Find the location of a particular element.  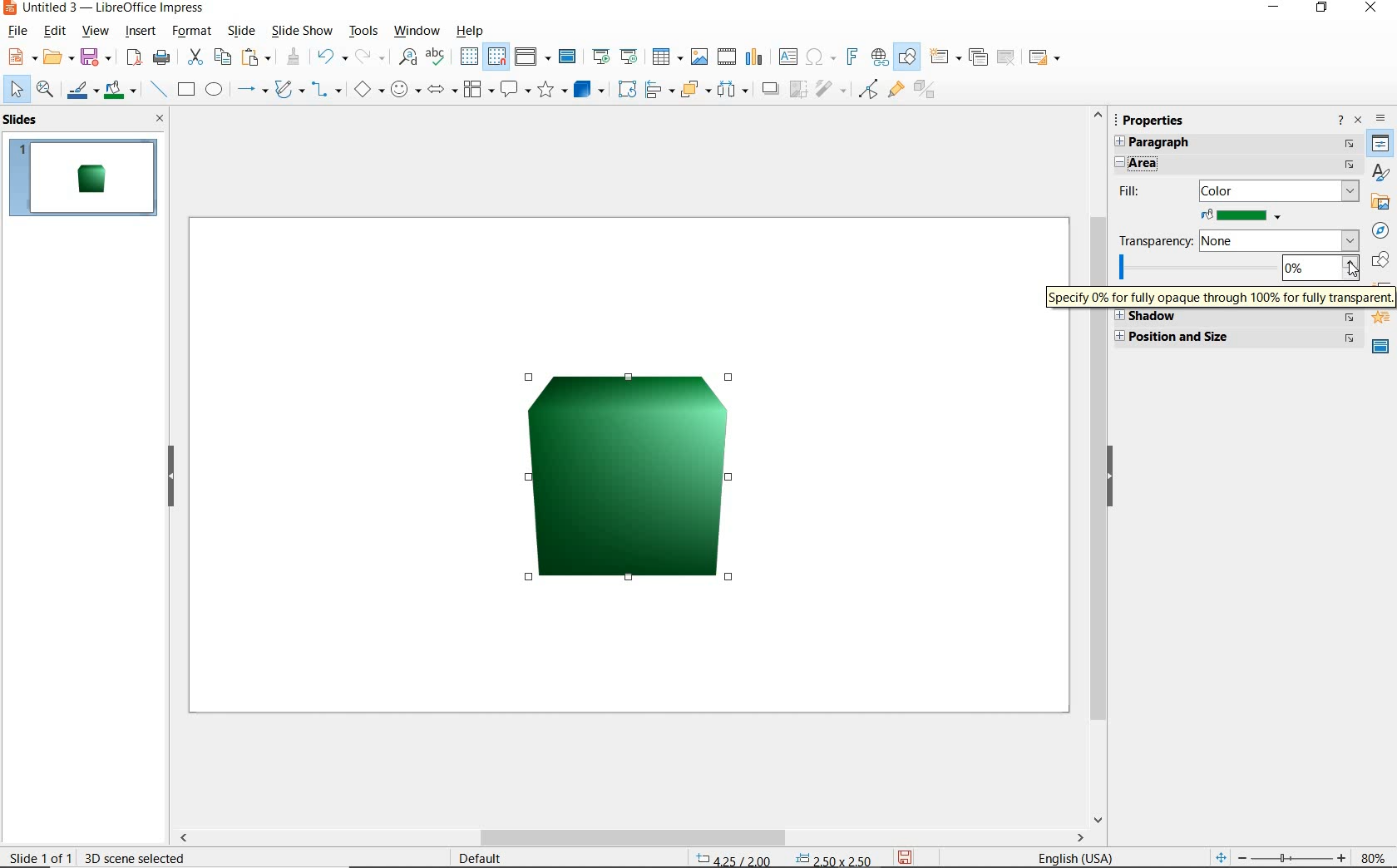

show draw functions is located at coordinates (909, 57).